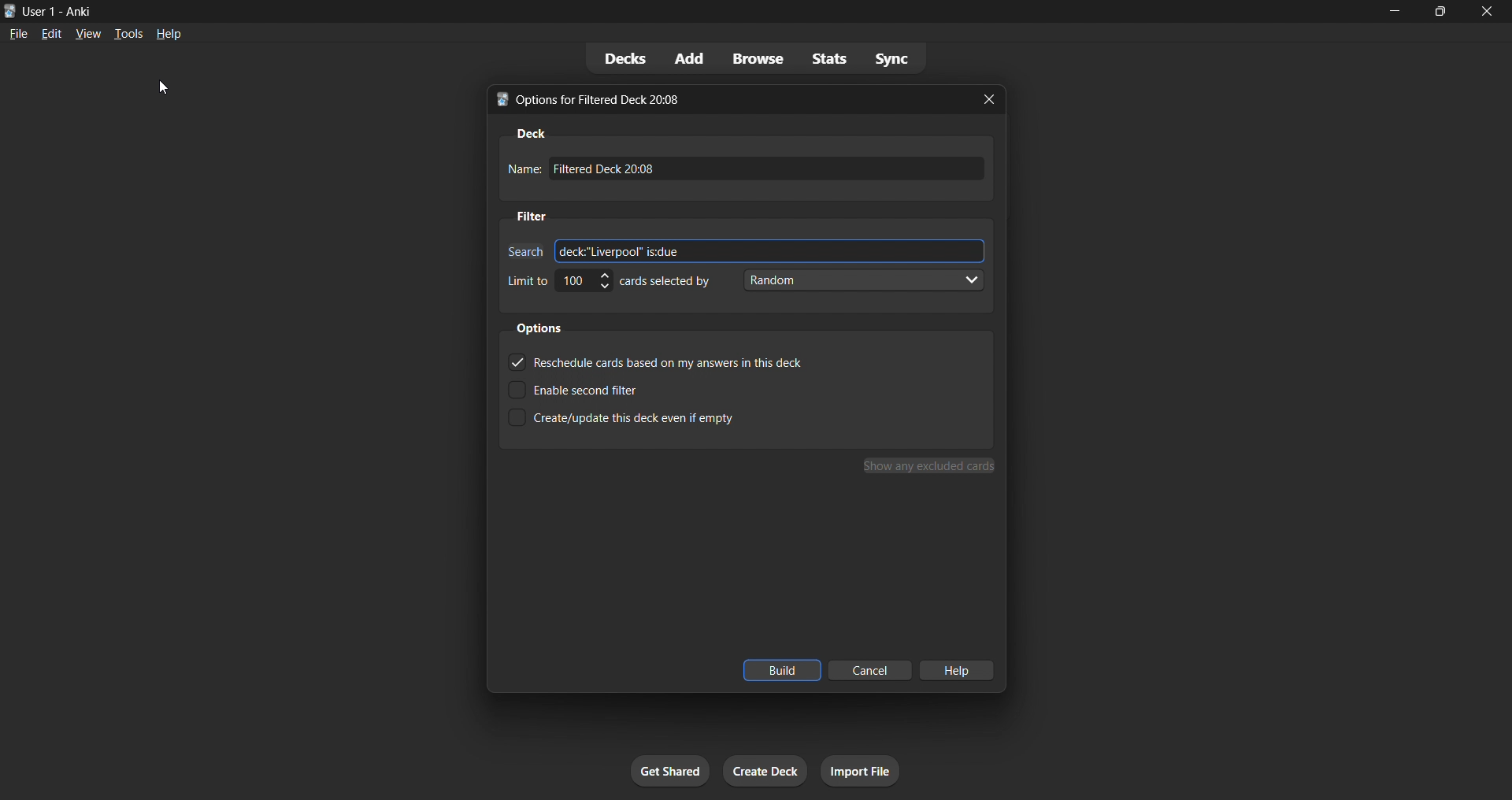 The height and width of the screenshot is (800, 1512). What do you see at coordinates (78, 9) in the screenshot?
I see `Anki` at bounding box center [78, 9].